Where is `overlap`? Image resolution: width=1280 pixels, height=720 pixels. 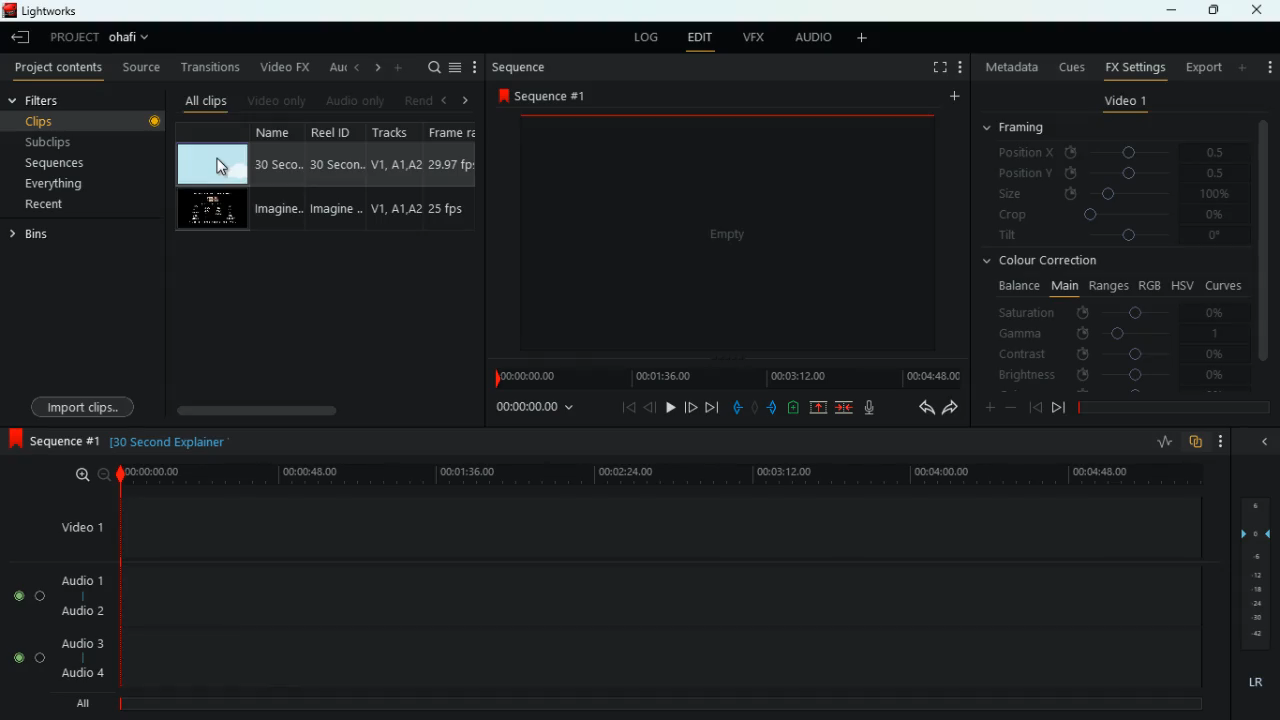 overlap is located at coordinates (1194, 444).